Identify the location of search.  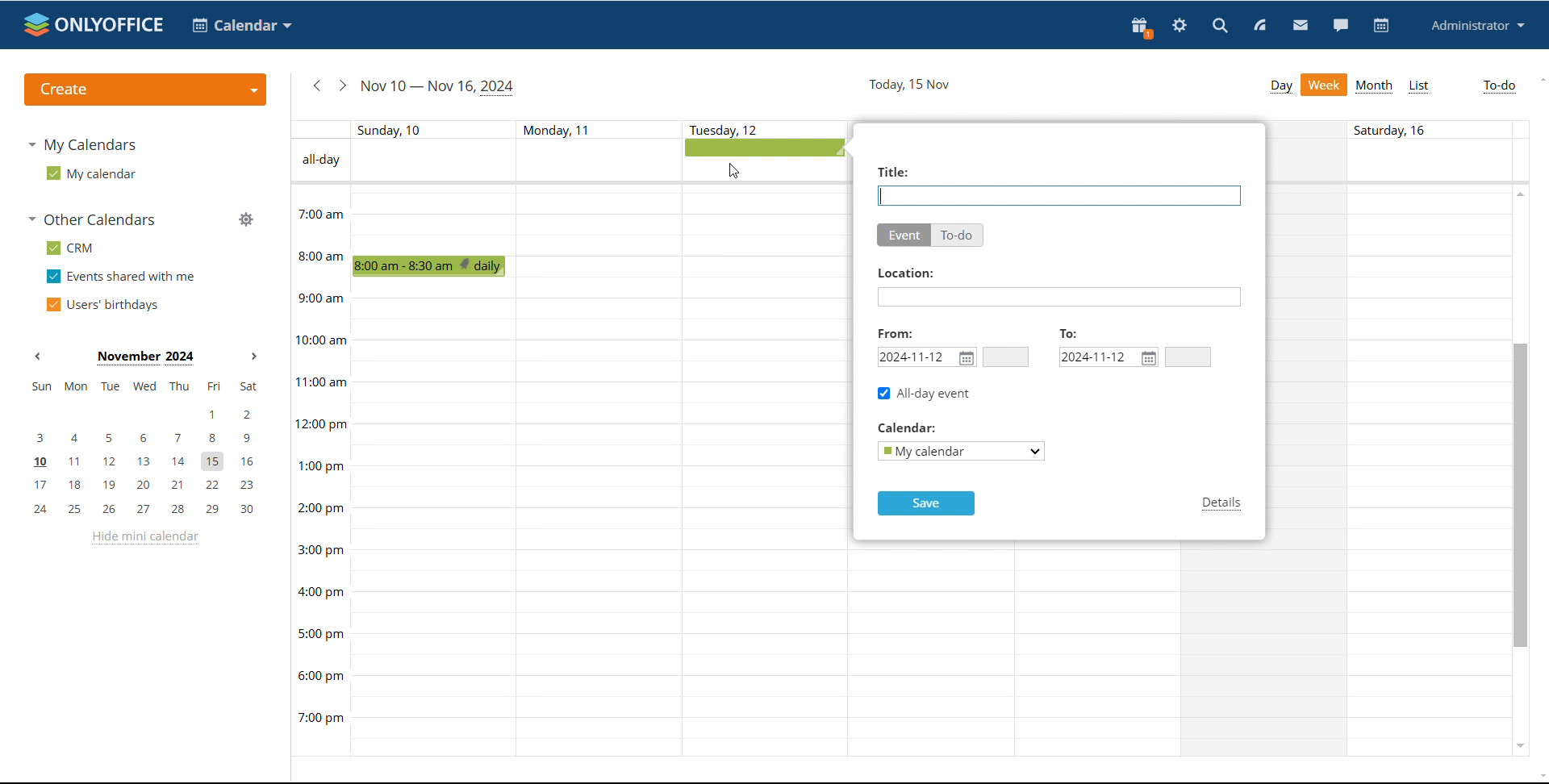
(1219, 26).